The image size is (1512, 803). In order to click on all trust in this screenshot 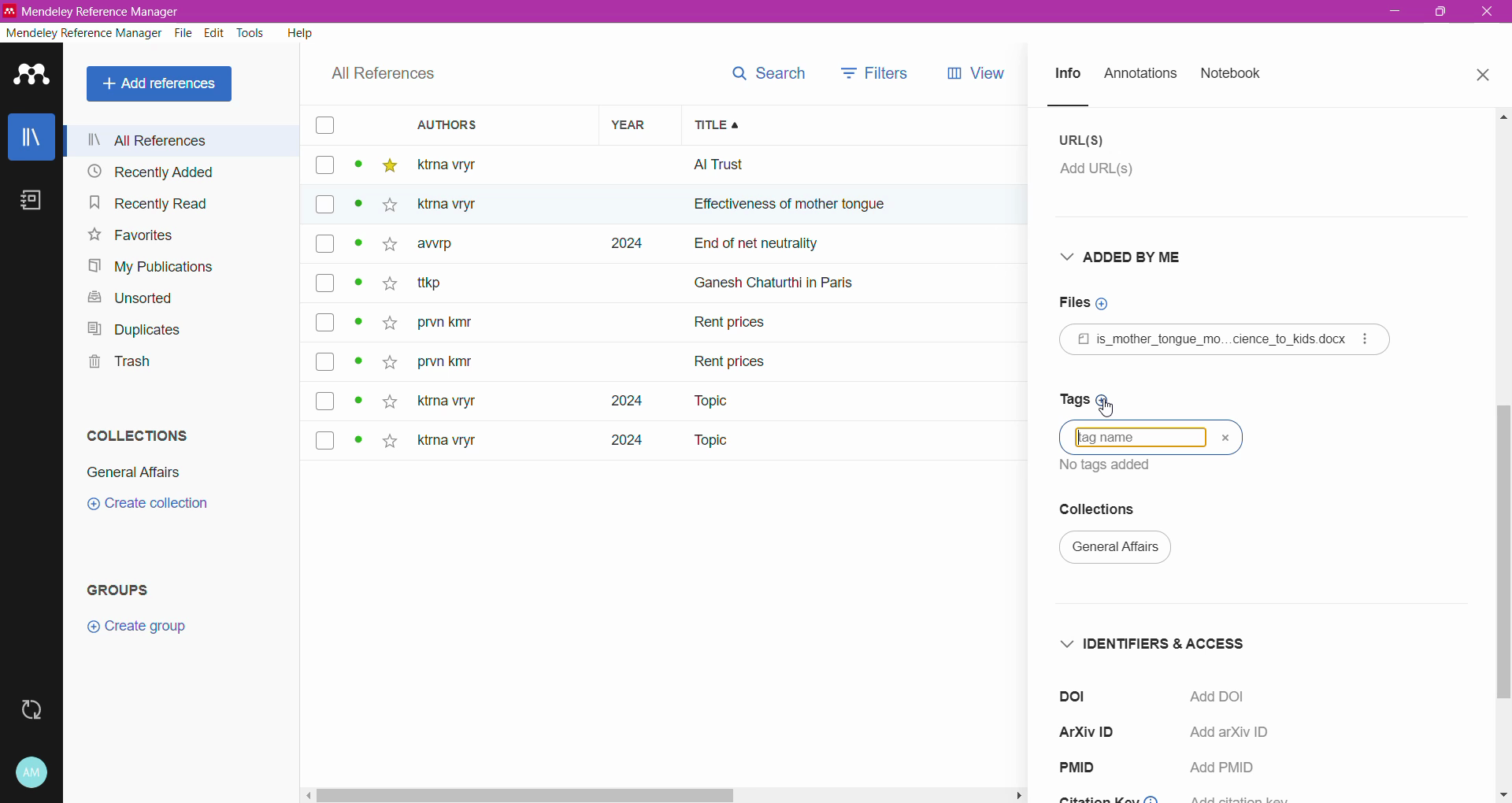, I will do `click(803, 165)`.